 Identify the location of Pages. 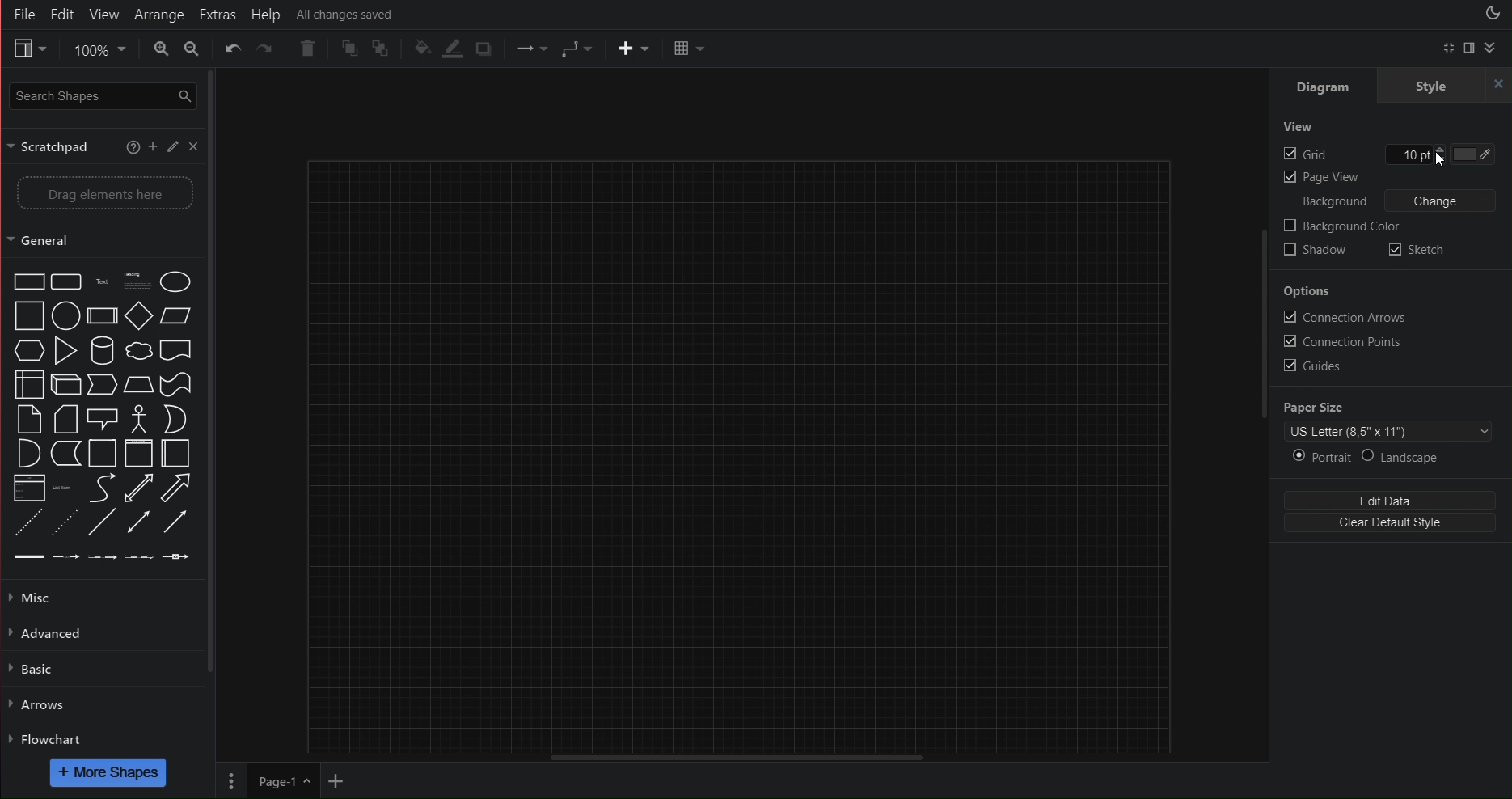
(230, 780).